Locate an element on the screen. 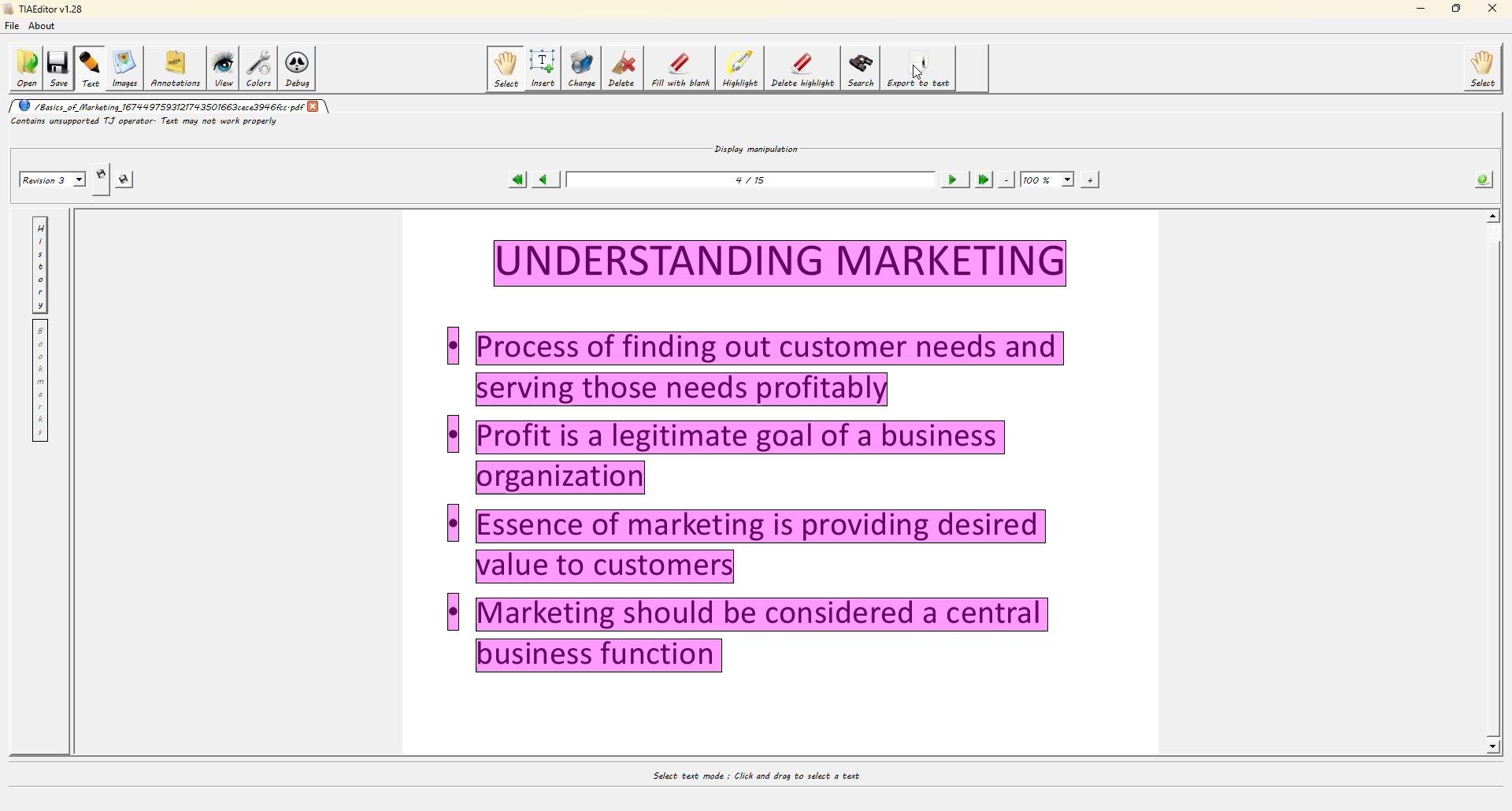  close is located at coordinates (1495, 10).